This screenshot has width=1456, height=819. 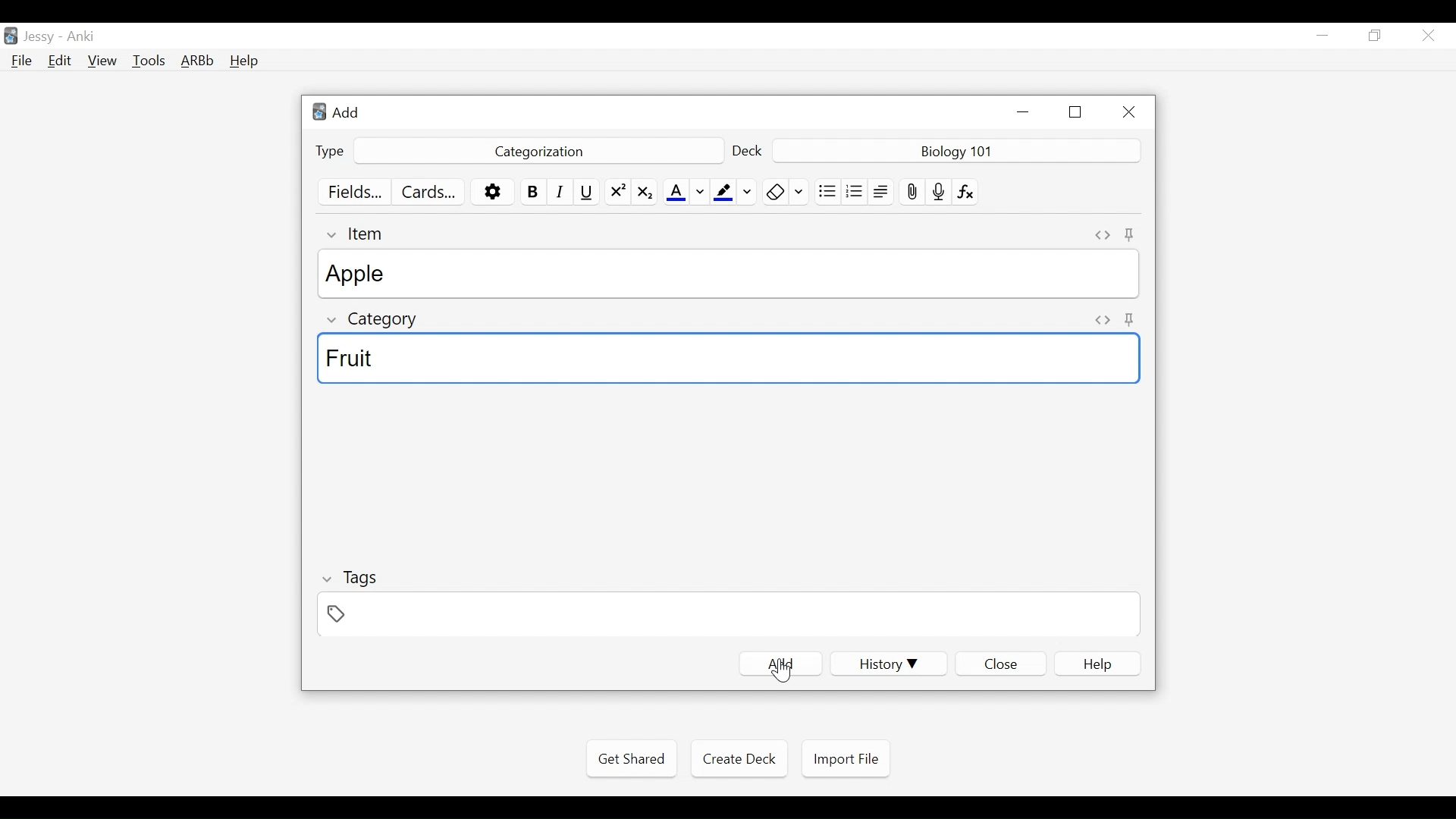 What do you see at coordinates (1428, 36) in the screenshot?
I see `Close` at bounding box center [1428, 36].